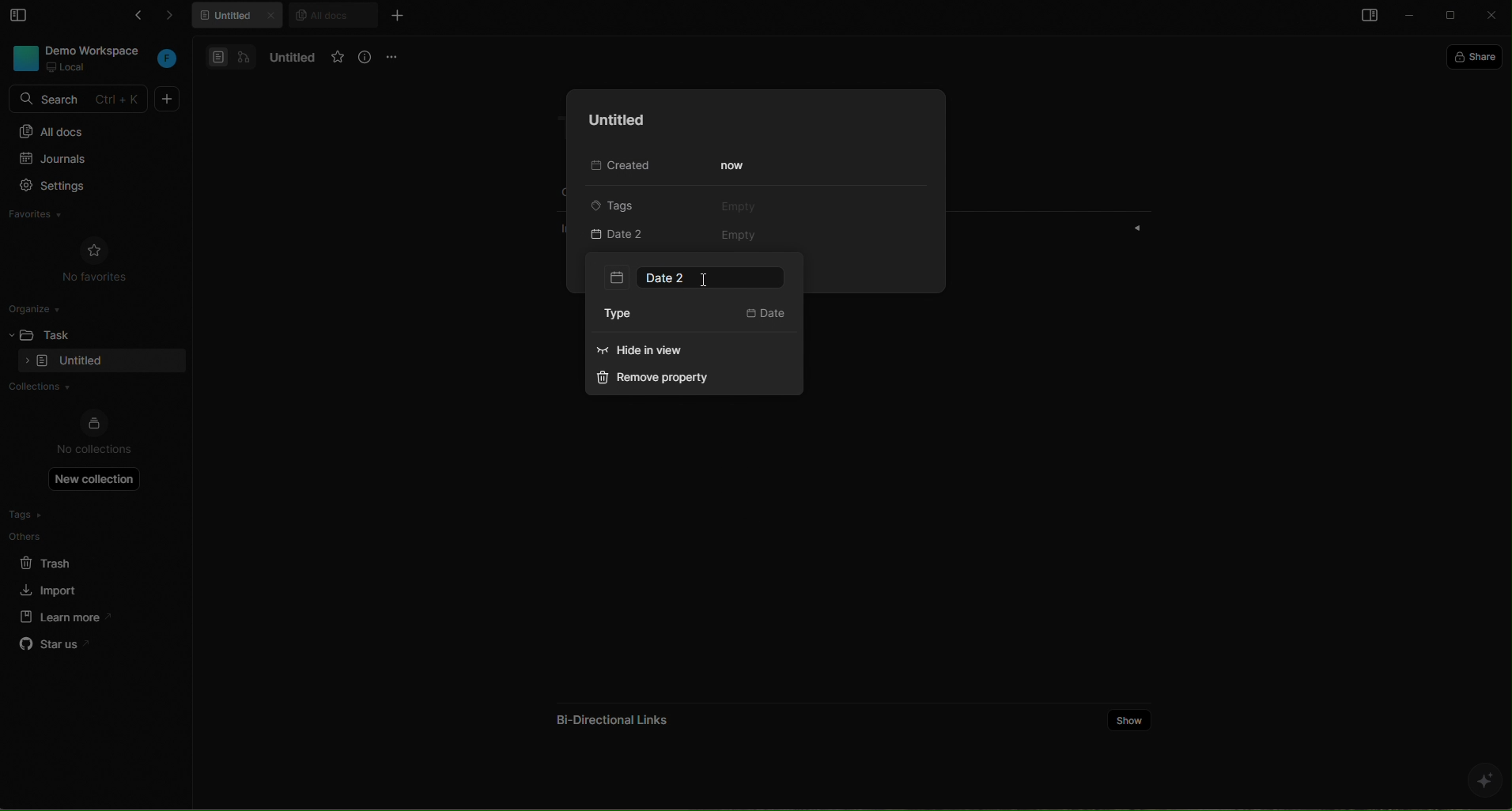  I want to click on empty, so click(741, 236).